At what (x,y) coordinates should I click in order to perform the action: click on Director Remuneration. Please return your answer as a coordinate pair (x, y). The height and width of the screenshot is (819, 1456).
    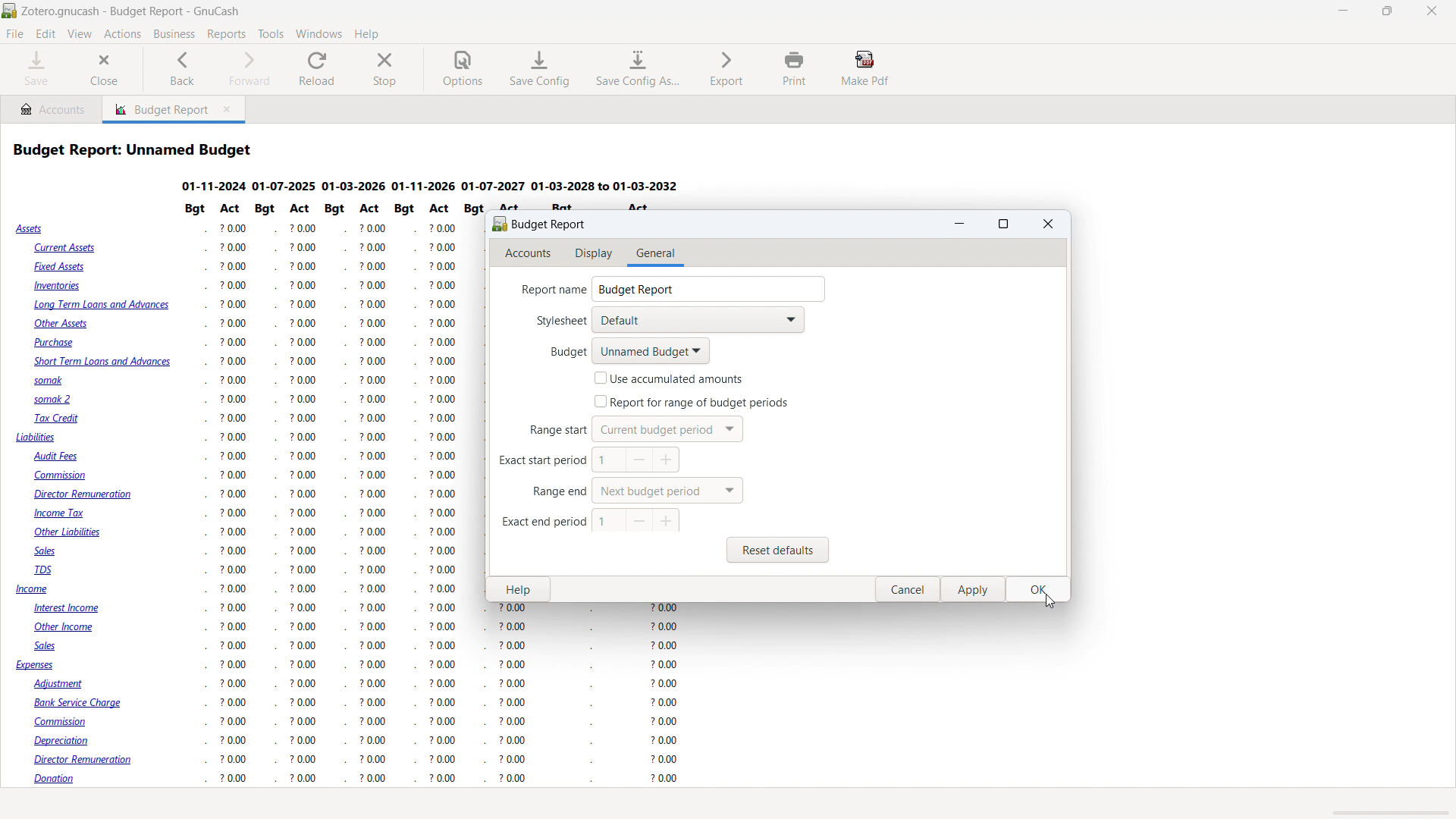
    Looking at the image, I should click on (84, 495).